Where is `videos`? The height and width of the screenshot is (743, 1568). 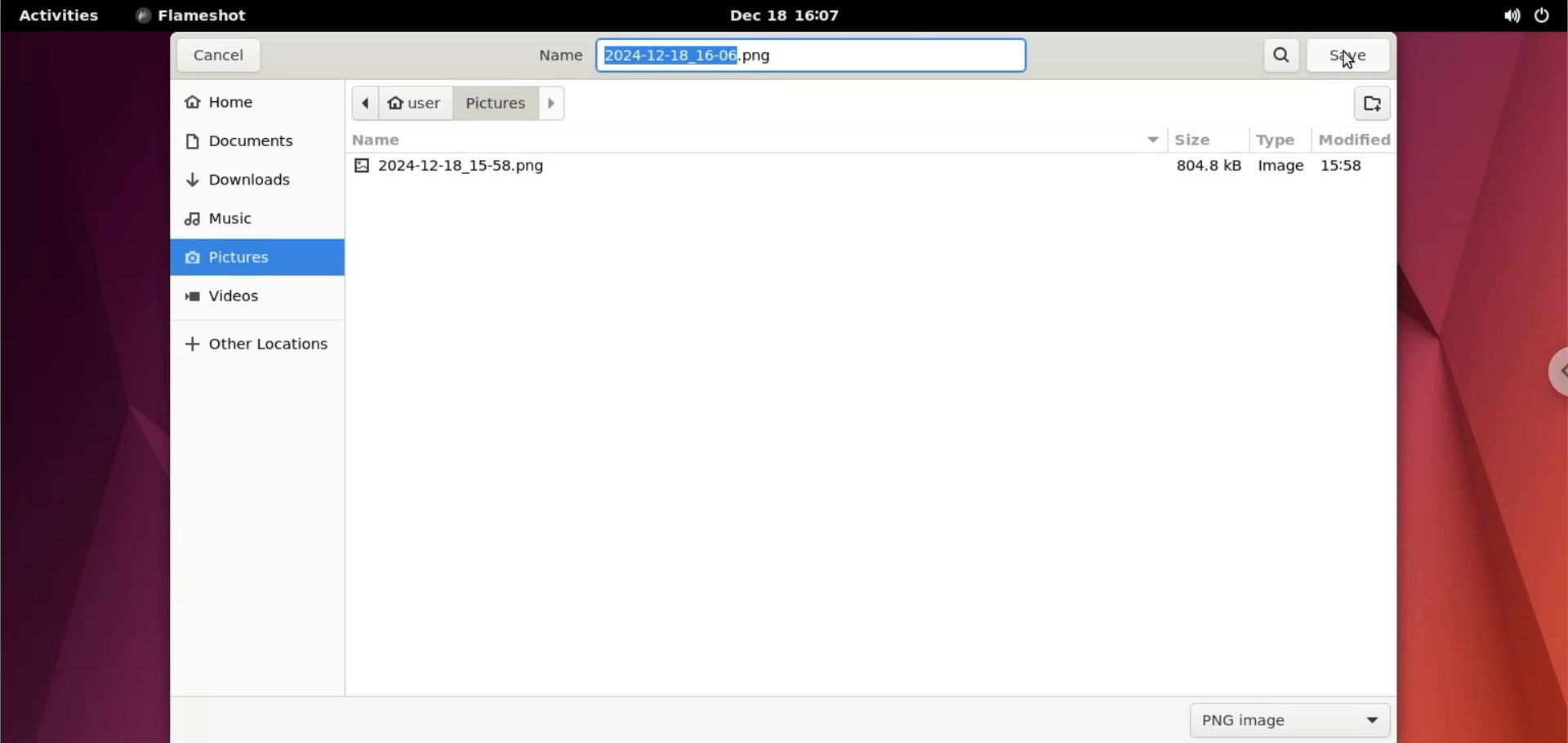
videos is located at coordinates (258, 296).